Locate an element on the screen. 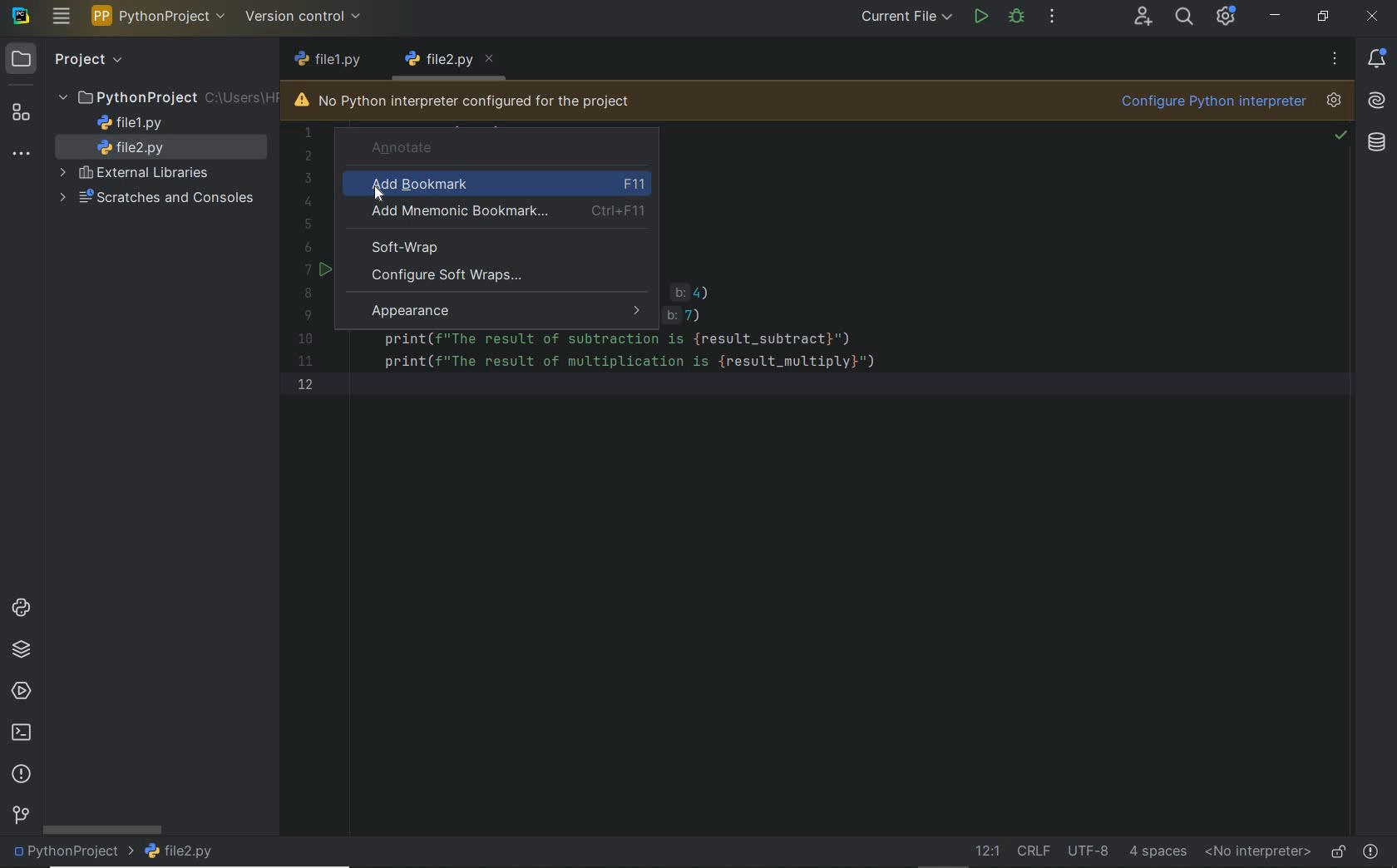  scratches and consoles is located at coordinates (160, 199).